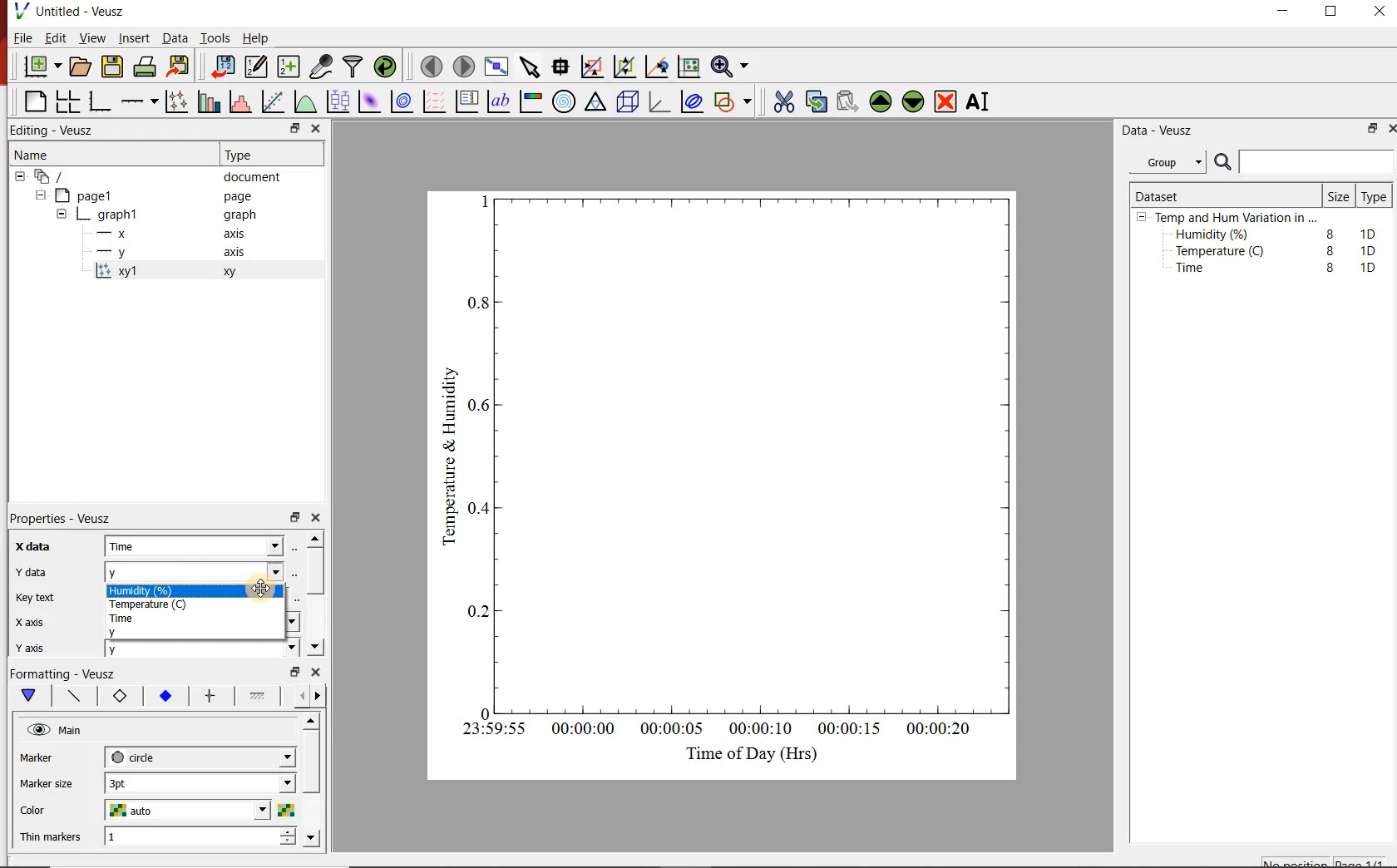 Image resolution: width=1397 pixels, height=868 pixels. Describe the element at coordinates (222, 65) in the screenshot. I see `import data into Veusz` at that location.